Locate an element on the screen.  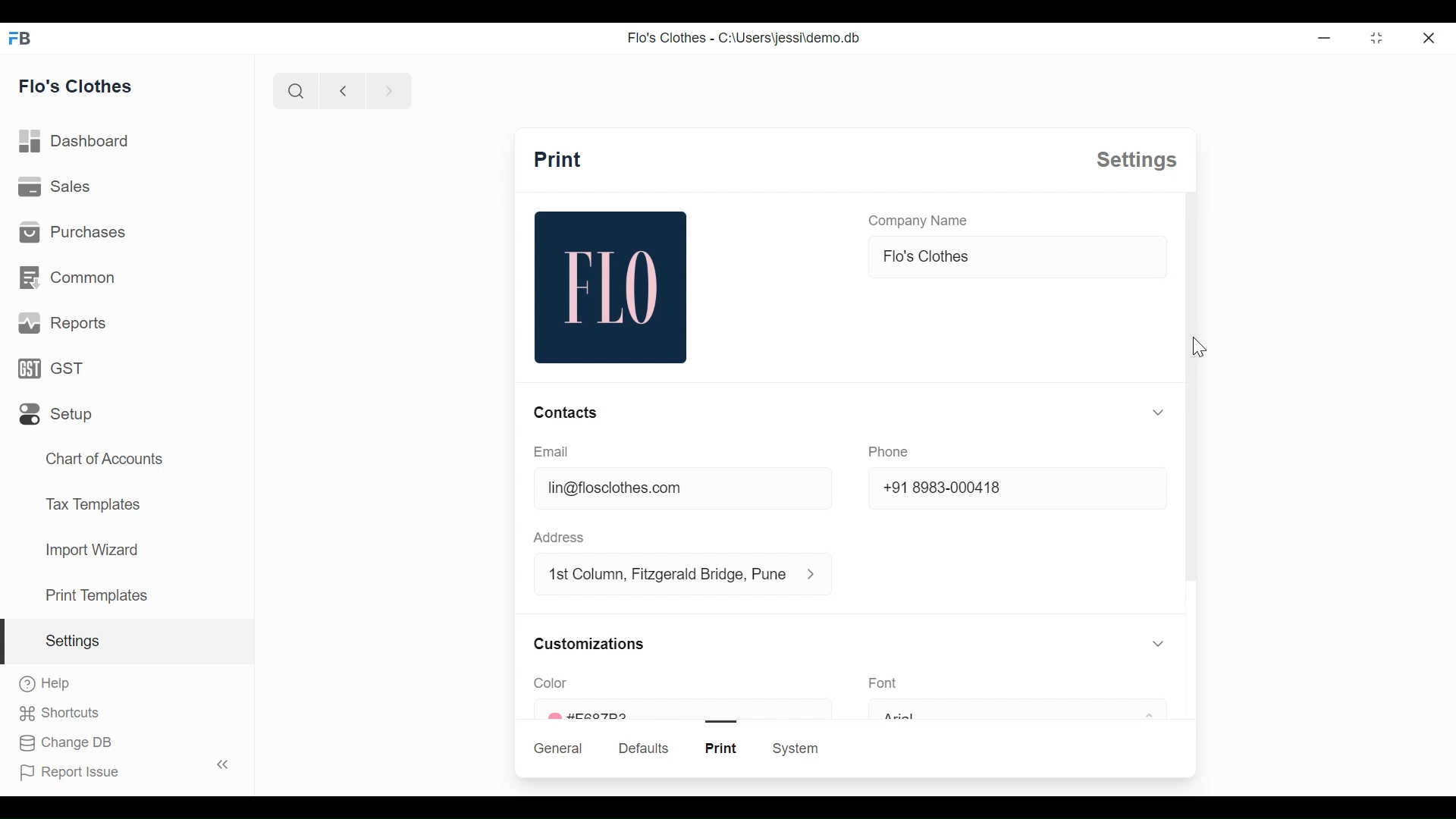
common is located at coordinates (67, 278).